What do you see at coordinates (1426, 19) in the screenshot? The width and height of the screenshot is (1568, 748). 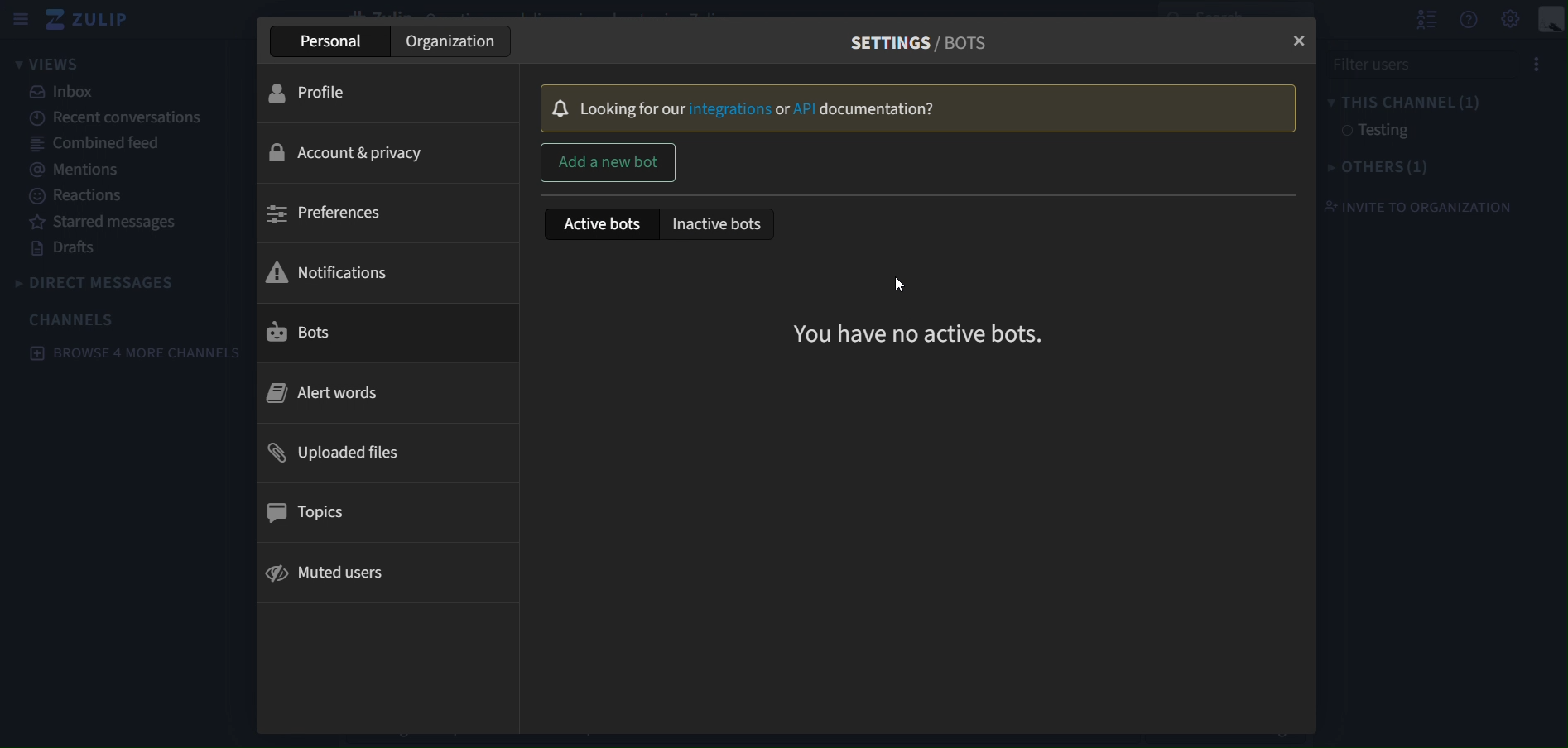 I see `hide user list` at bounding box center [1426, 19].